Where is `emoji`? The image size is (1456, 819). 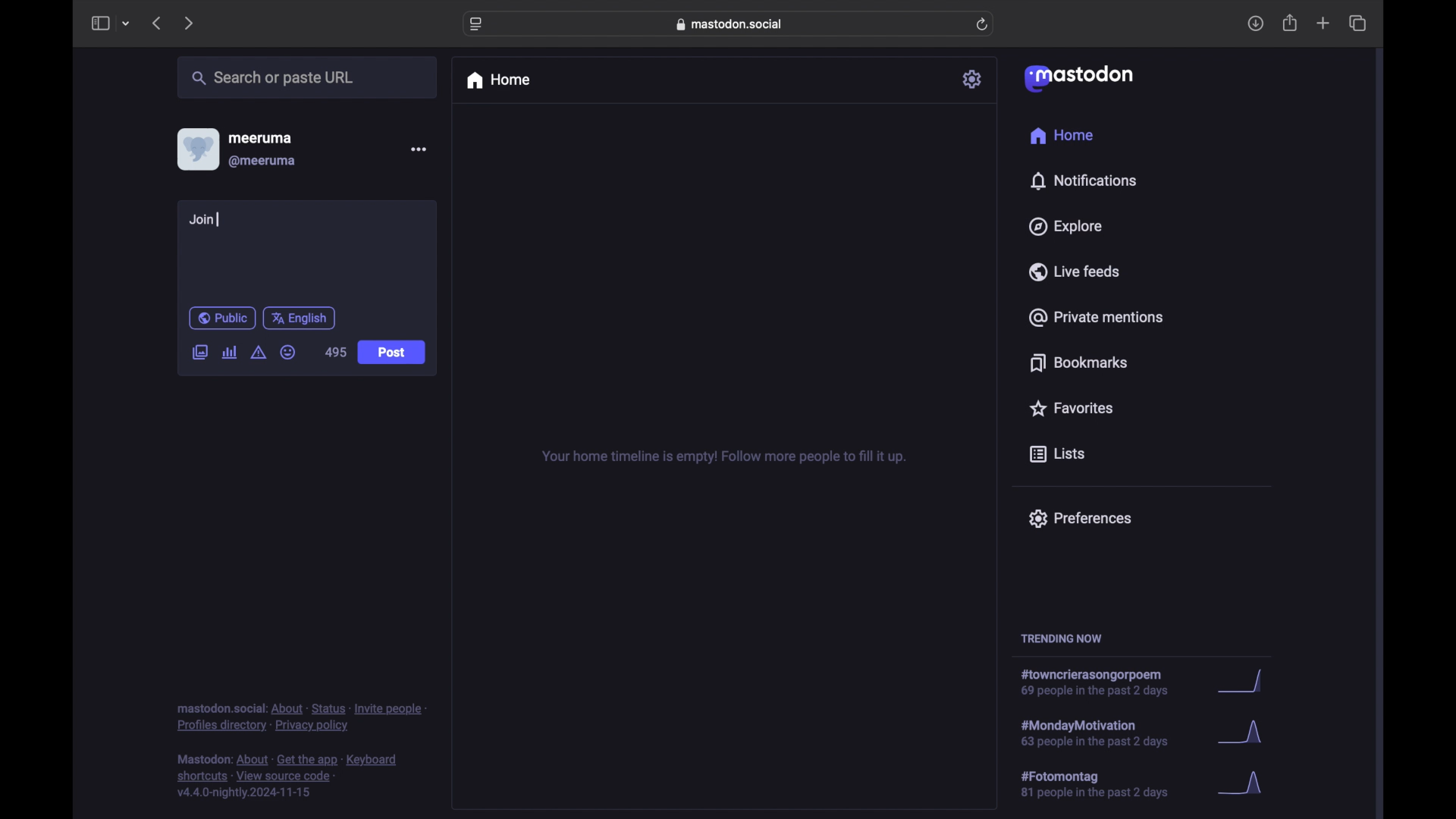
emoji is located at coordinates (288, 353).